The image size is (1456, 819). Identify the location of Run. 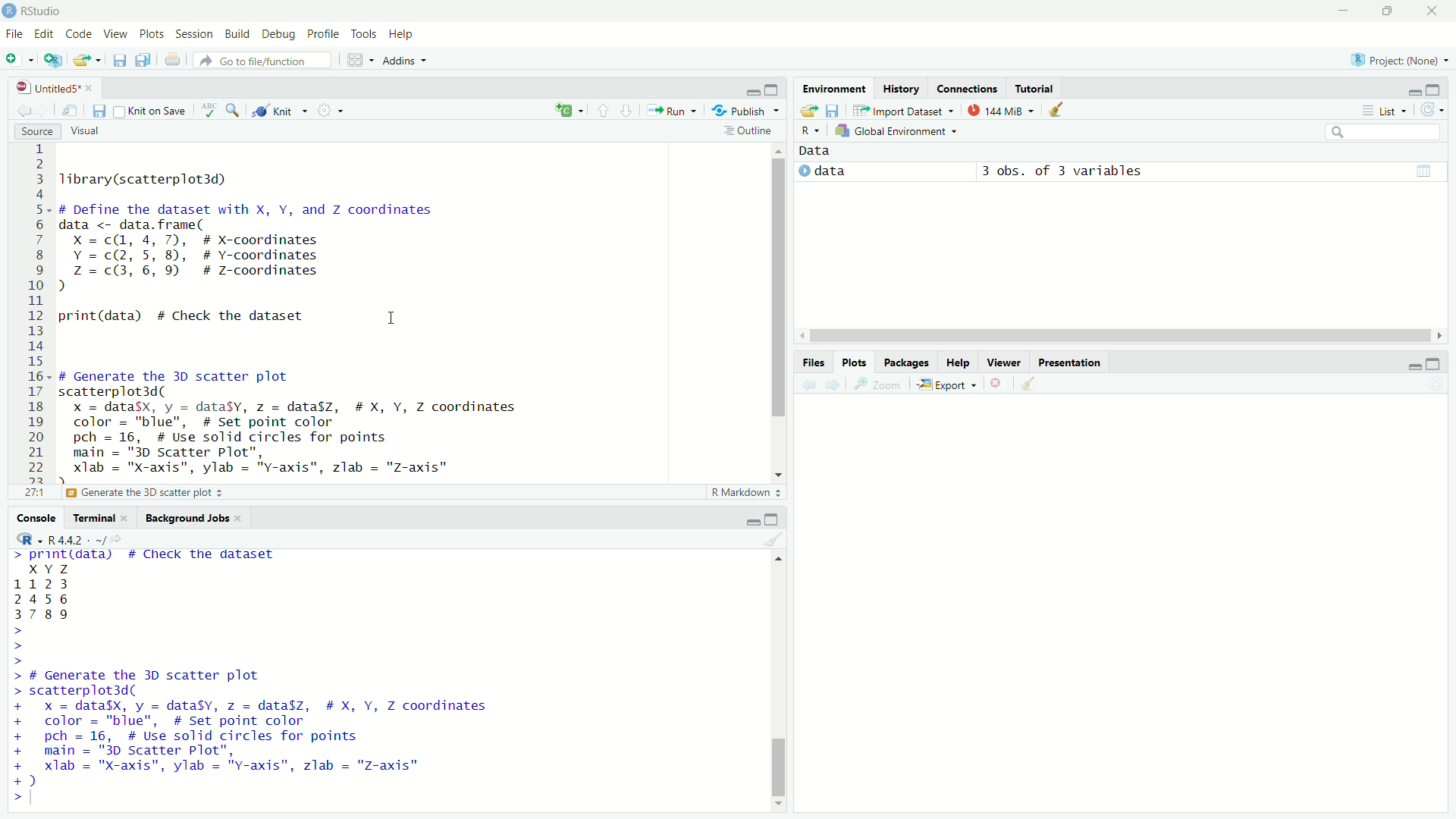
(670, 112).